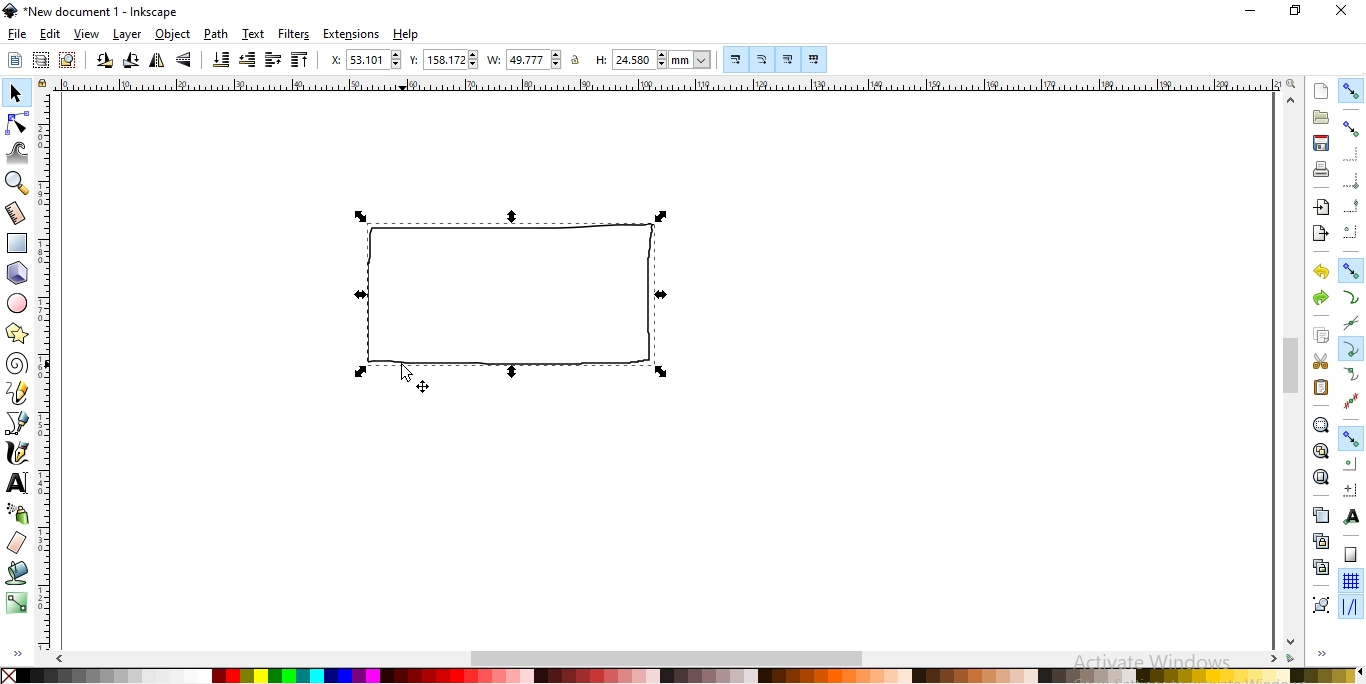 This screenshot has height=684, width=1366. Describe the element at coordinates (19, 243) in the screenshot. I see `create rectangles or squares` at that location.